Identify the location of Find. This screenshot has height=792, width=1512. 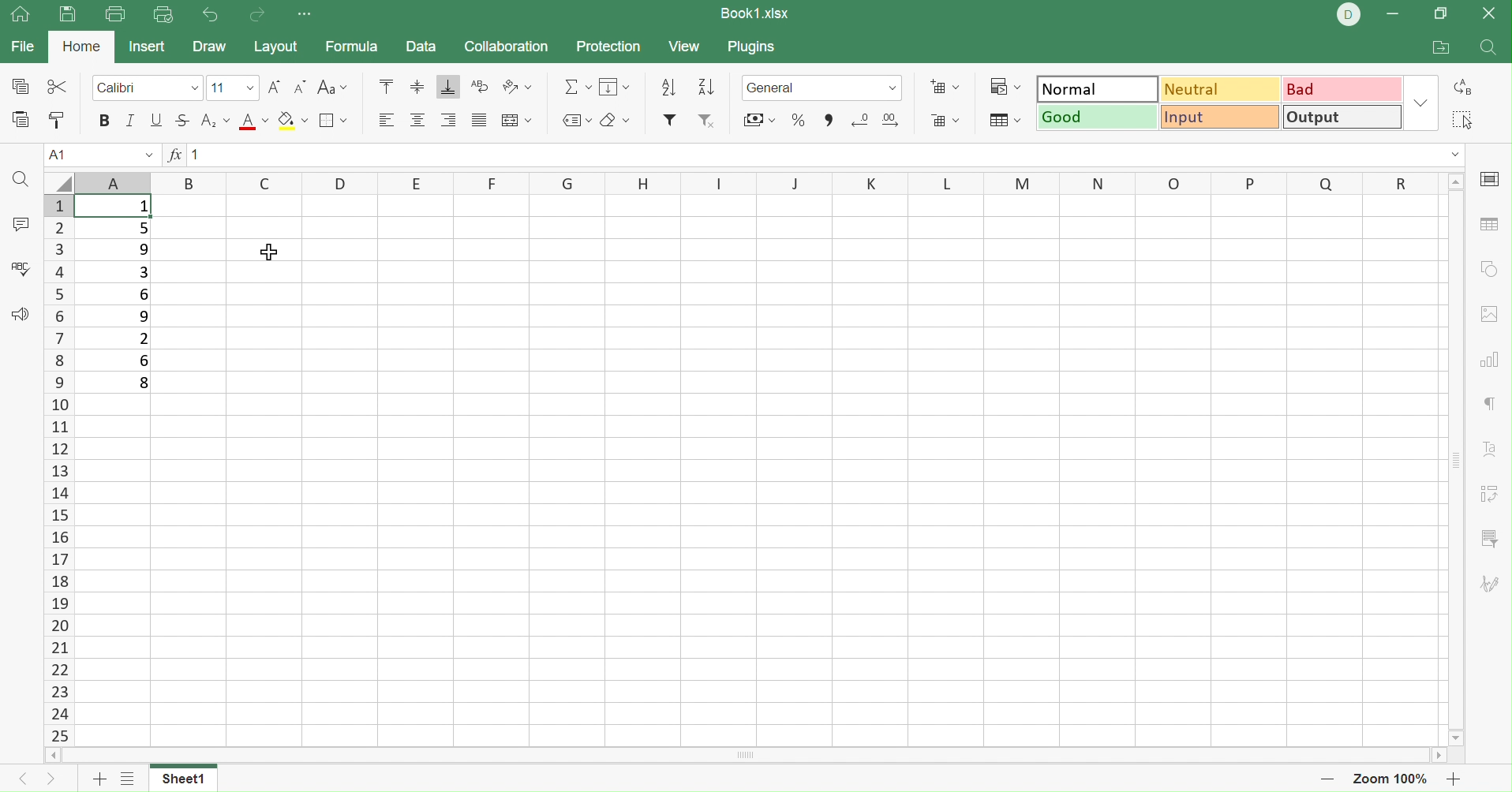
(1489, 49).